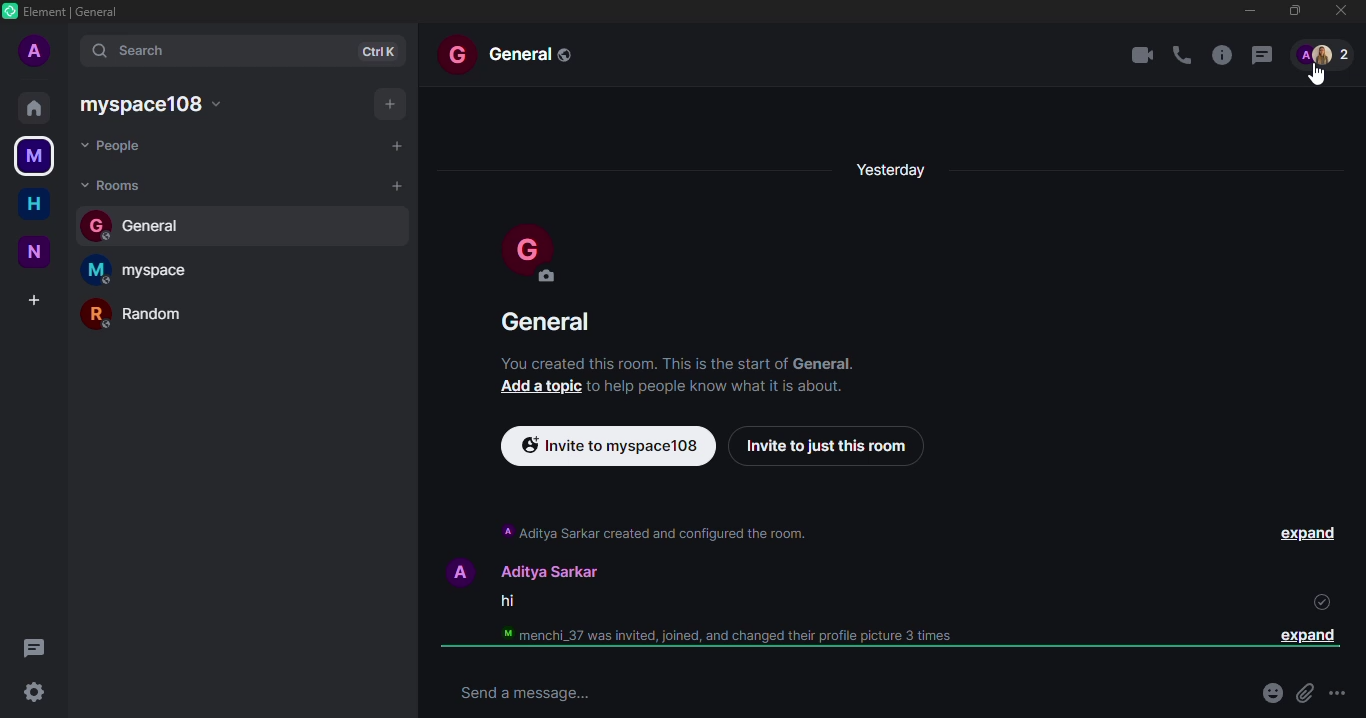  I want to click on home, so click(33, 107).